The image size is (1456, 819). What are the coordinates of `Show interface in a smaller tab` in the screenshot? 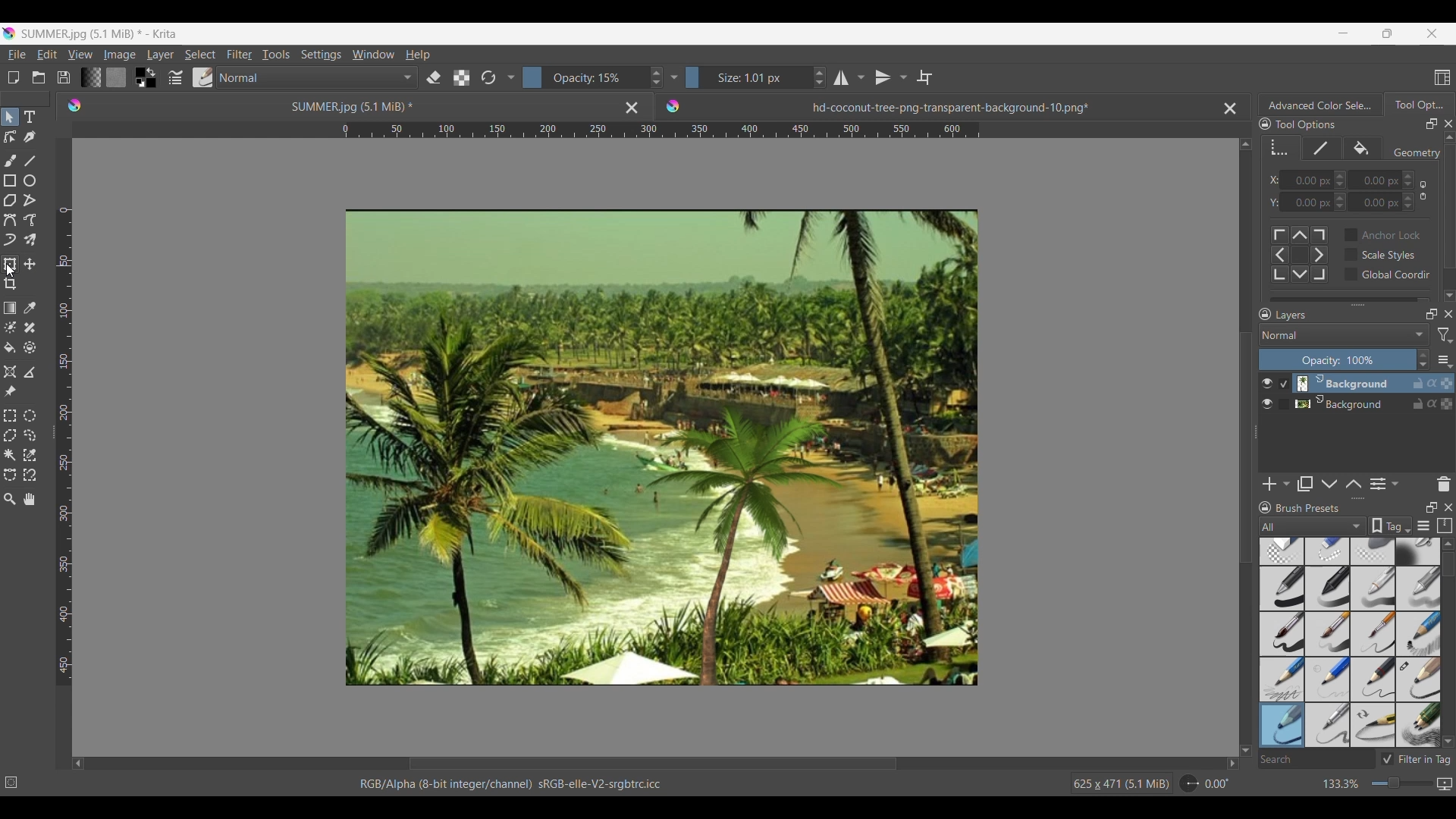 It's located at (1387, 33).